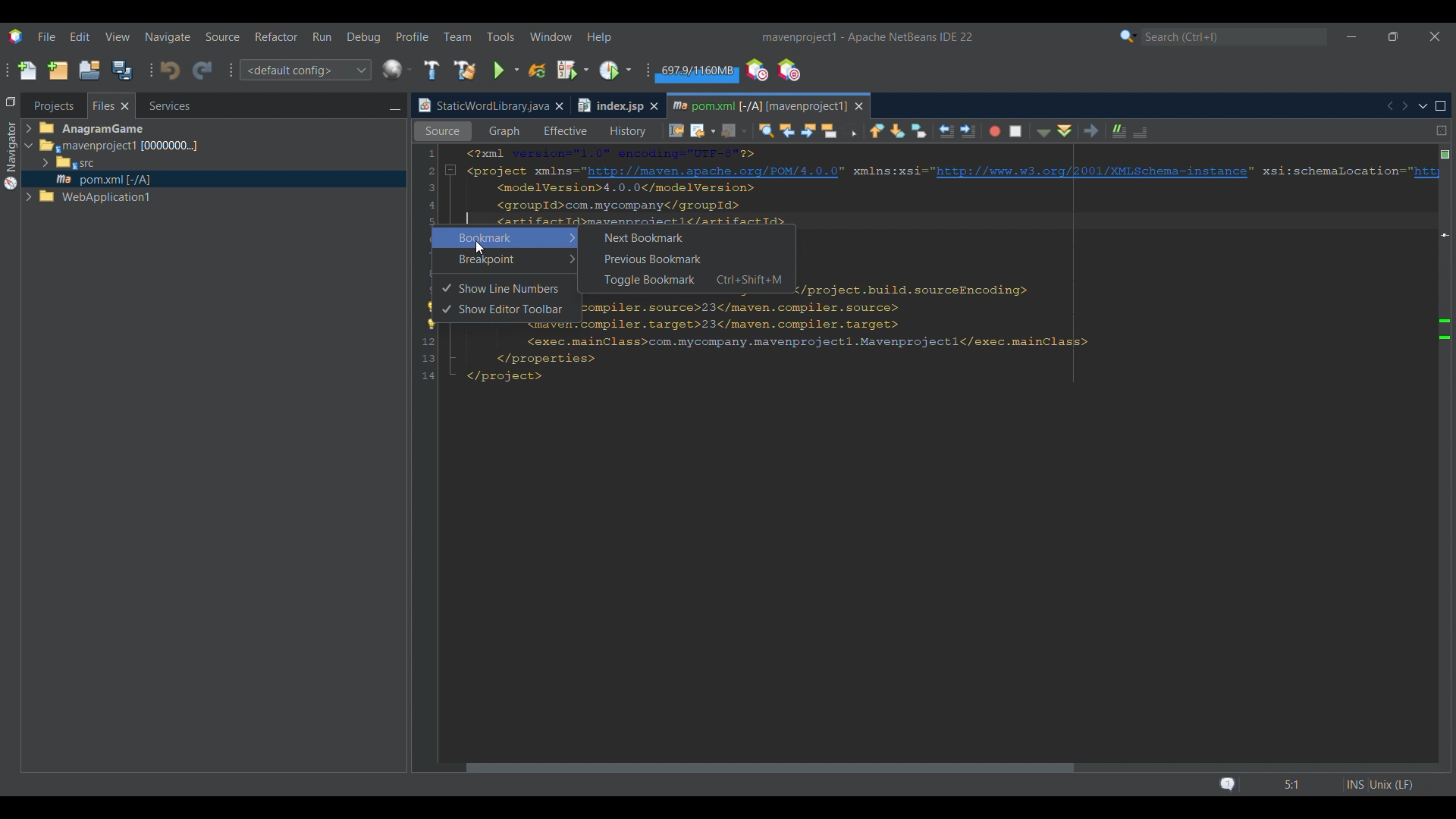  What do you see at coordinates (1441, 106) in the screenshot?
I see `Maximize` at bounding box center [1441, 106].